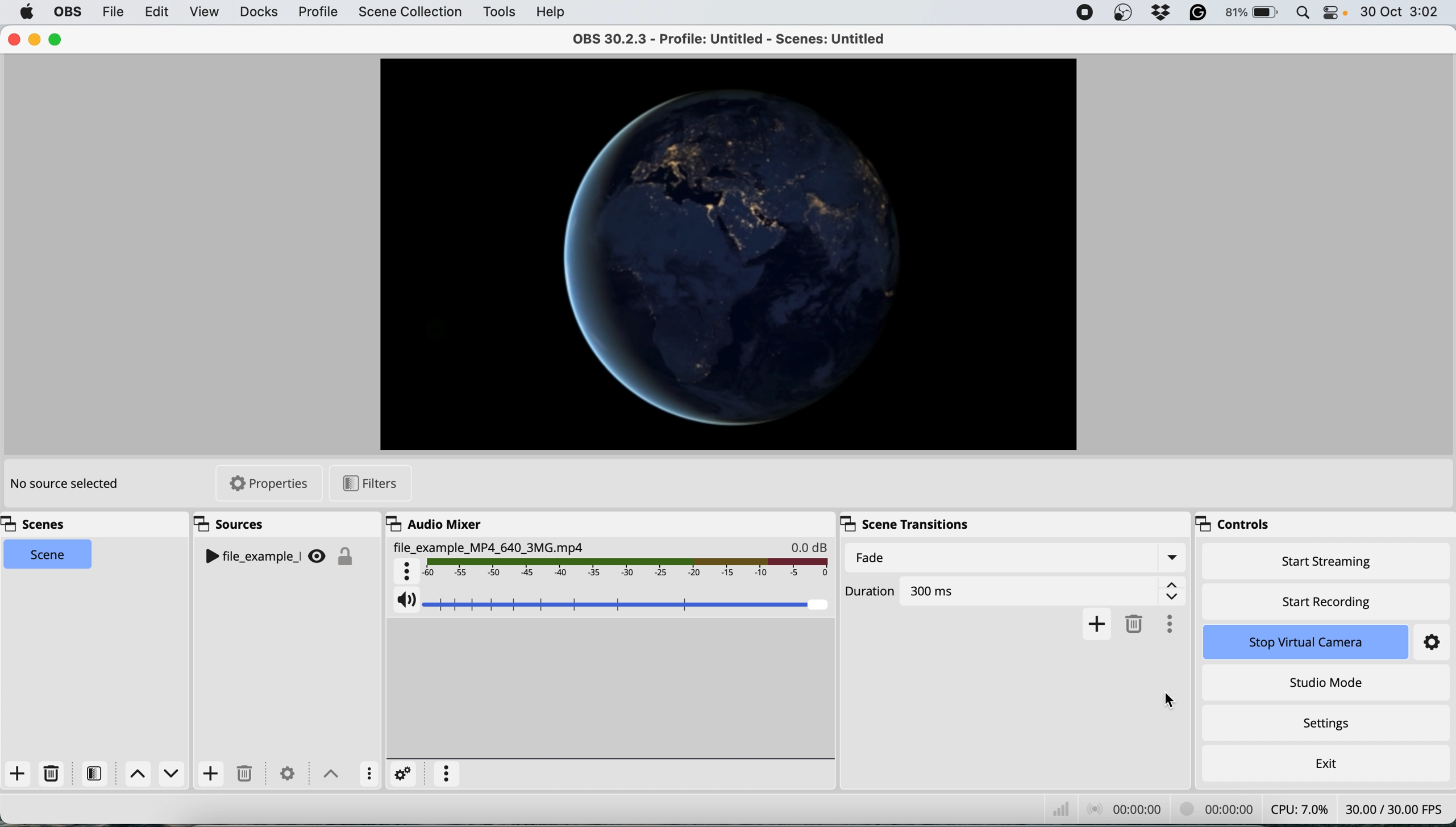  I want to click on exit, so click(1330, 765).